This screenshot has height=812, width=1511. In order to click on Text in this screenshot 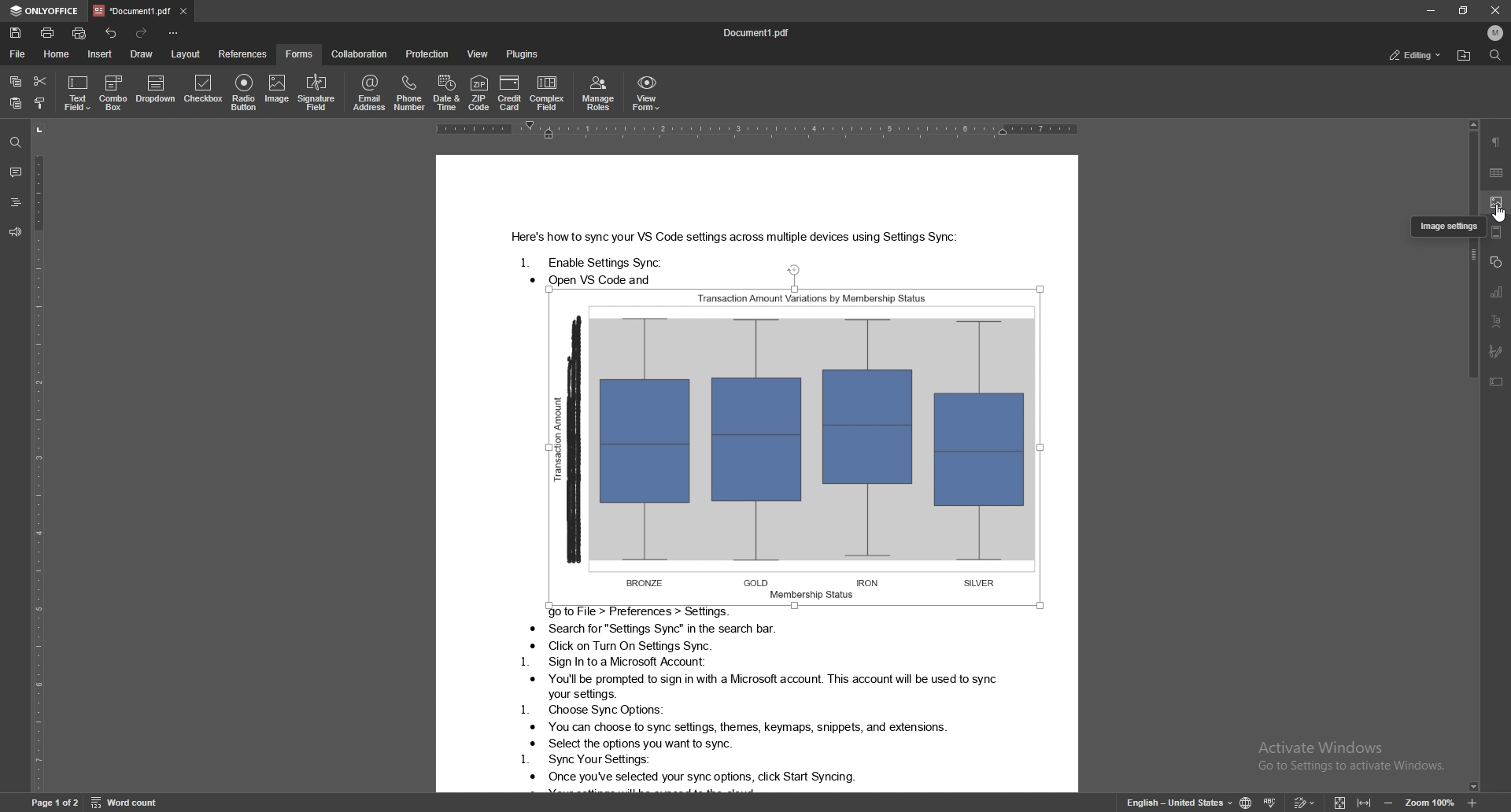, I will do `click(733, 252)`.